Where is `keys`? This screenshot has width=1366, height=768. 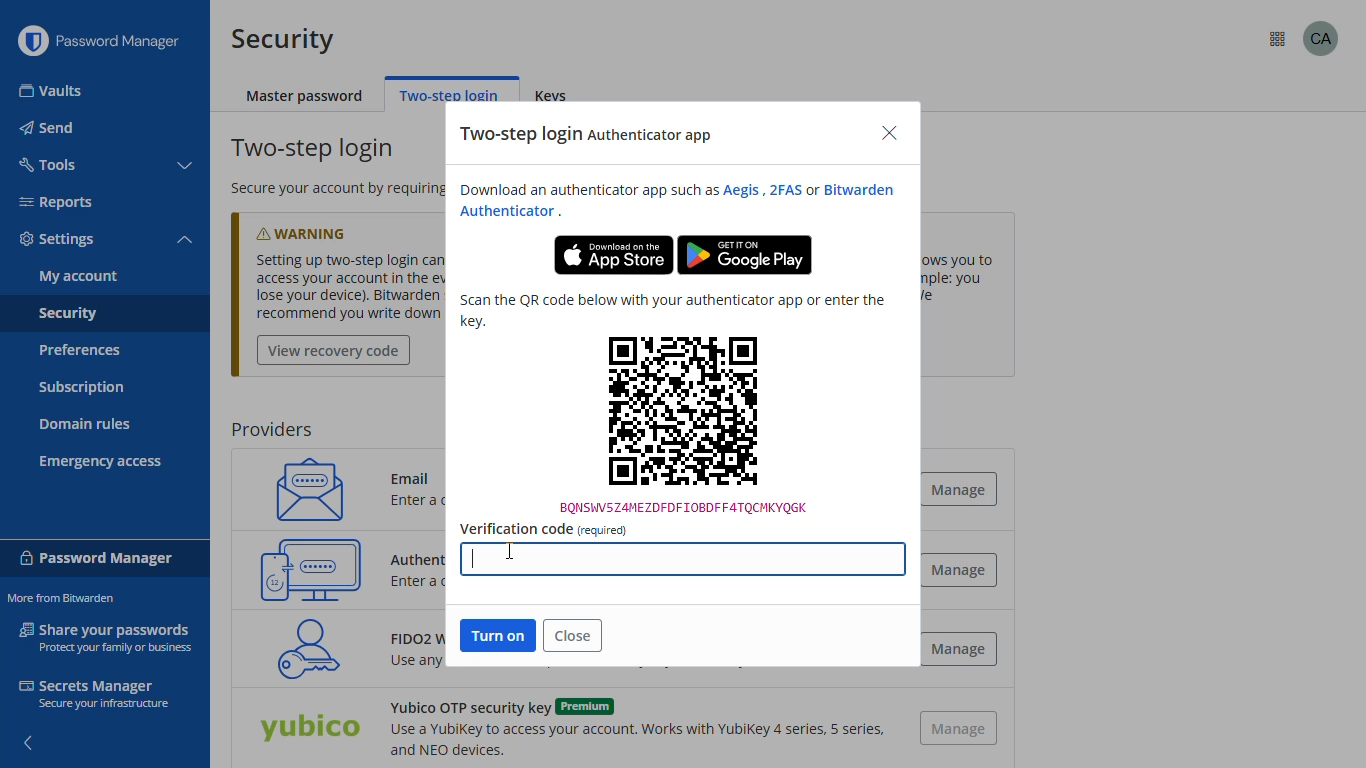 keys is located at coordinates (557, 97).